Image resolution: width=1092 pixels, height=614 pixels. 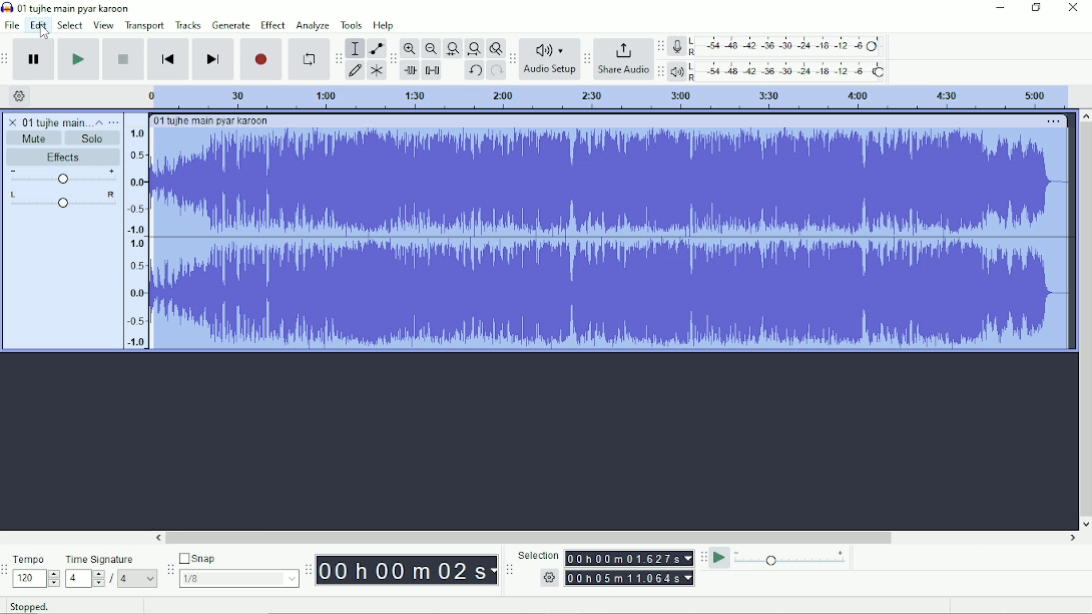 What do you see at coordinates (407, 571) in the screenshot?
I see `00 h 00 m 00.00s` at bounding box center [407, 571].